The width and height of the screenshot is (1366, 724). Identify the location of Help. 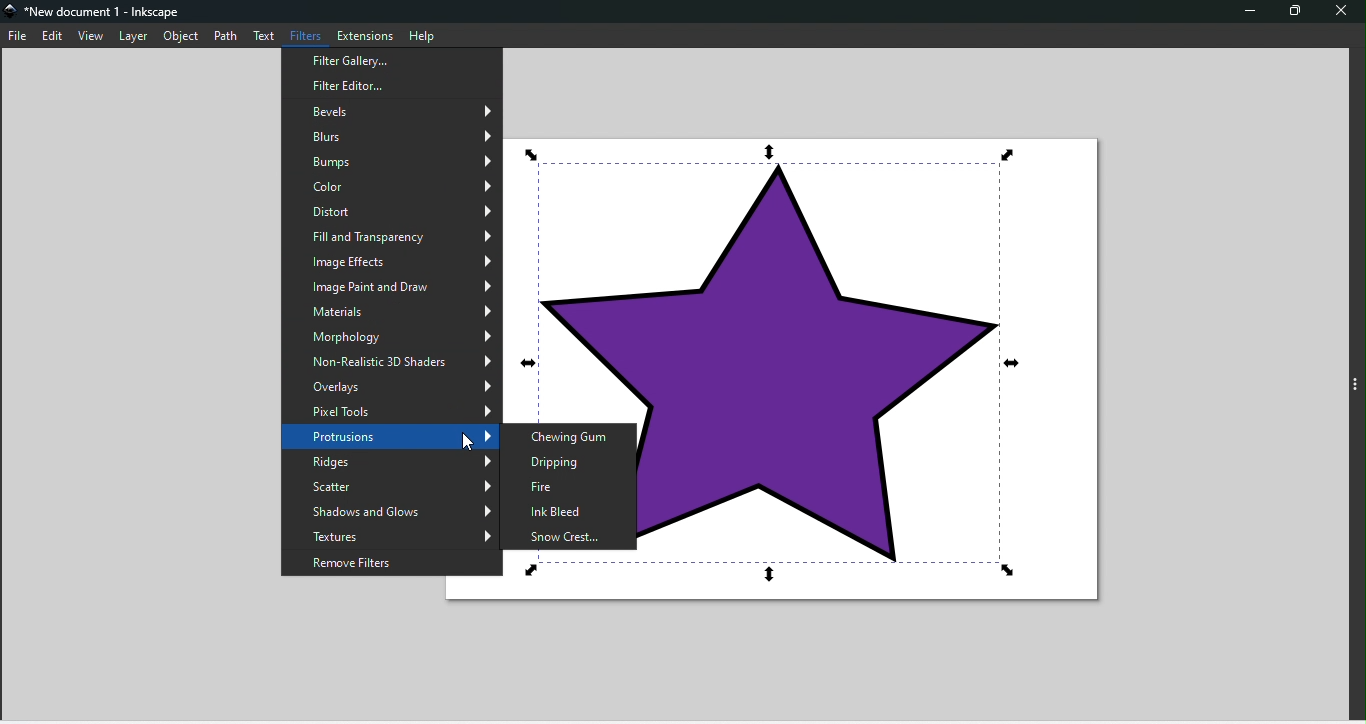
(424, 34).